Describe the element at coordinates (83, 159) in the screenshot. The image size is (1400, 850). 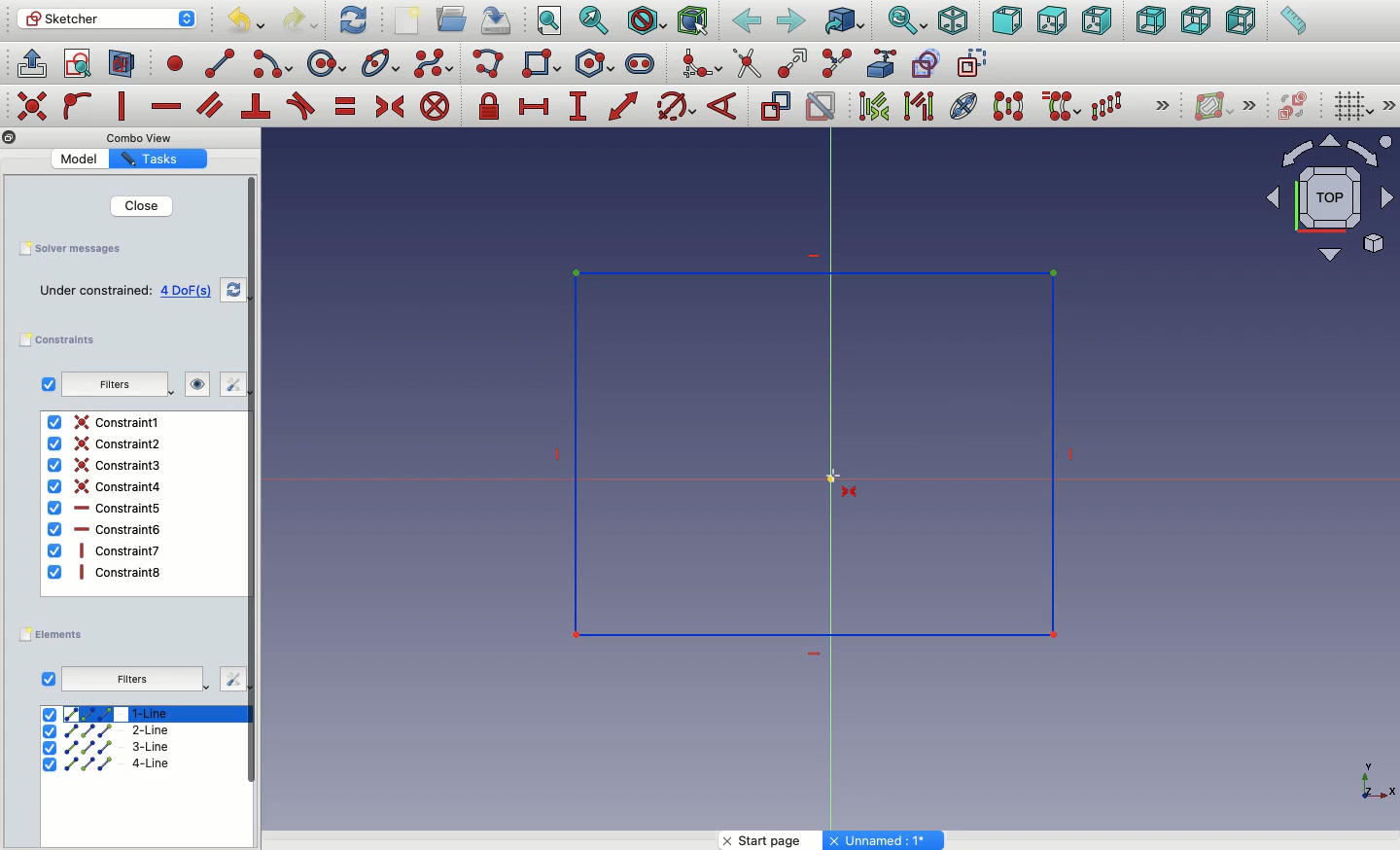
I see `Model` at that location.